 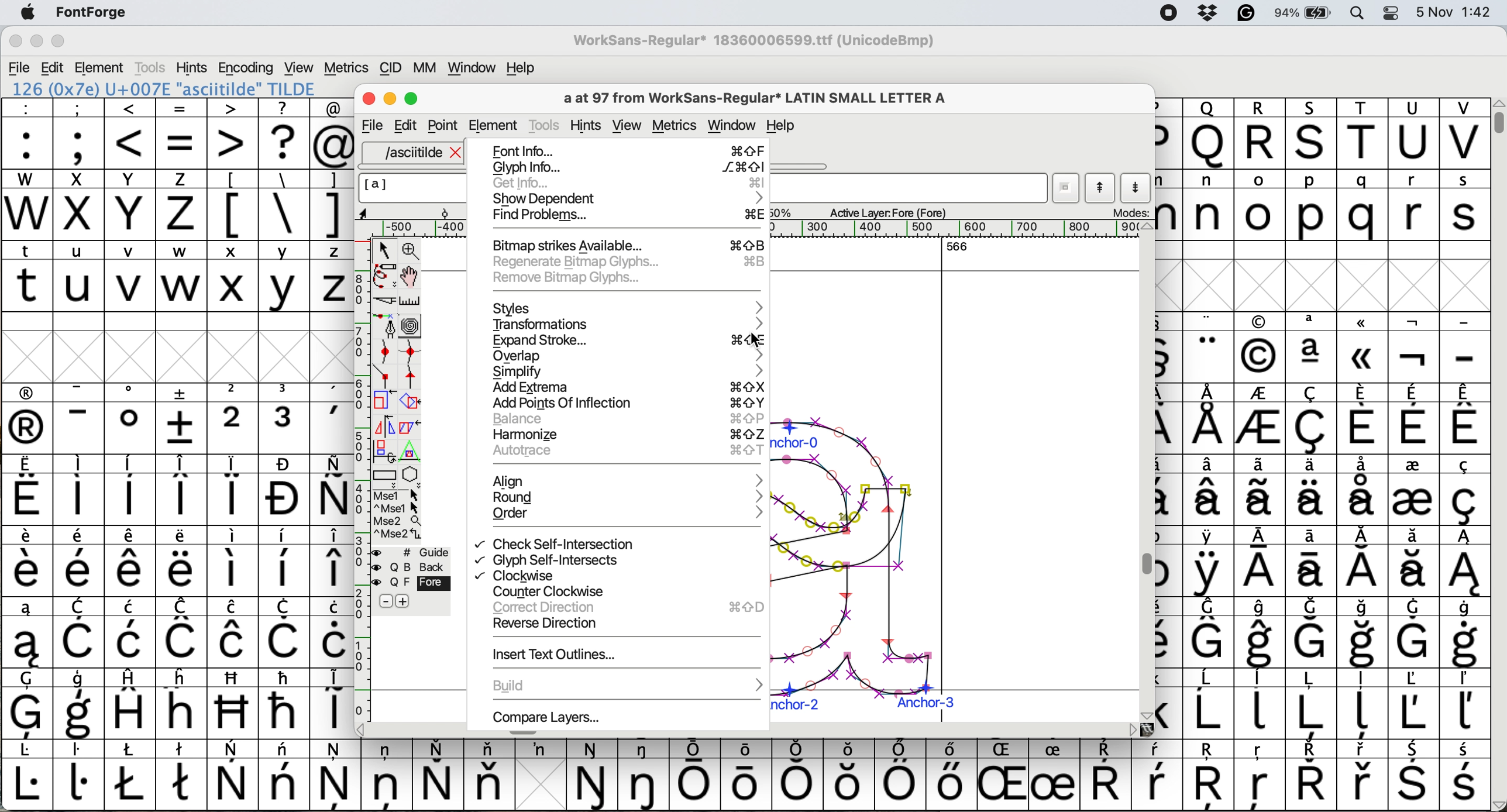 I want to click on symbol, so click(x=28, y=491).